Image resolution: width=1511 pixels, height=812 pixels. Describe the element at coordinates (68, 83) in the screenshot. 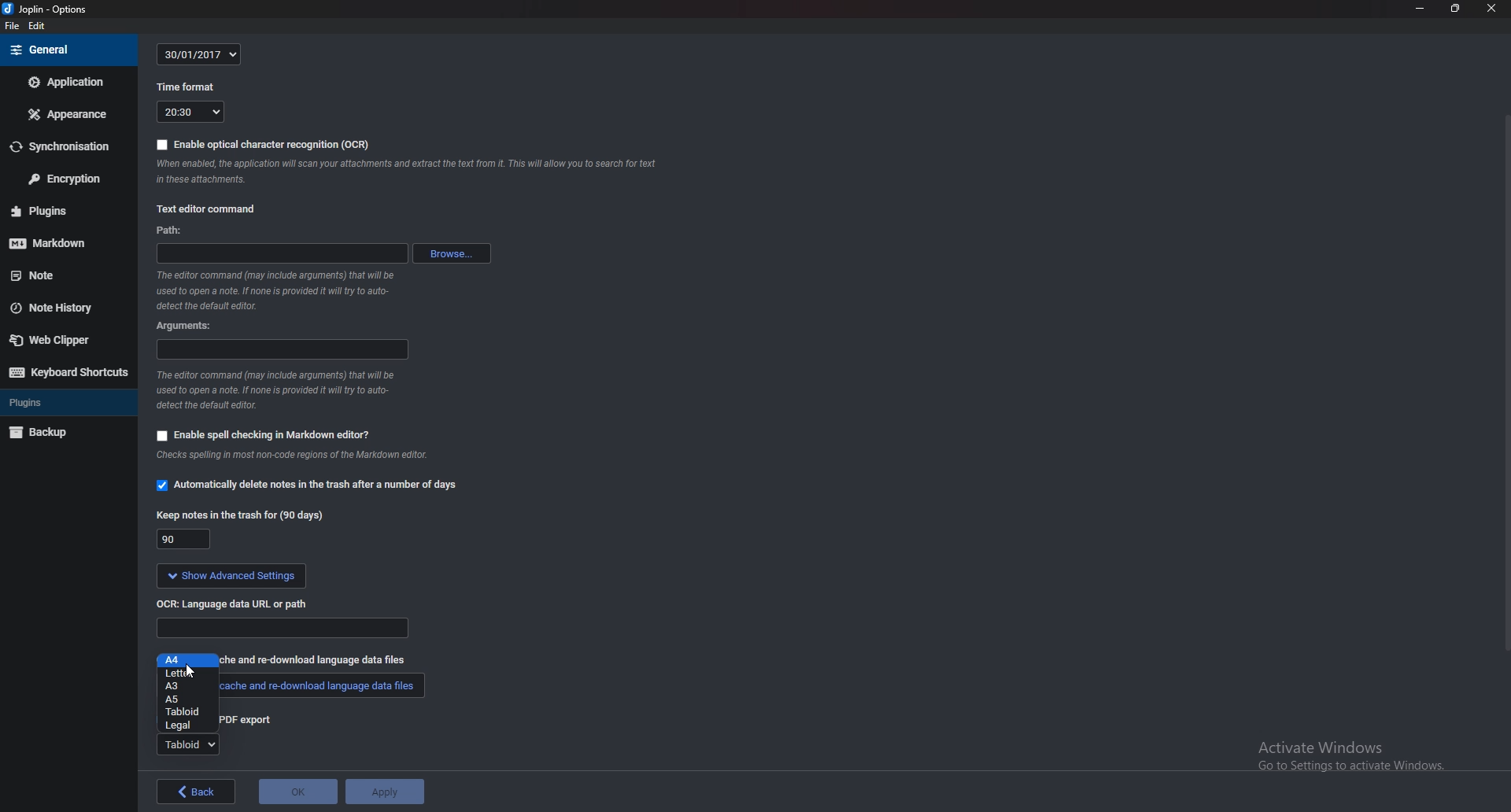

I see `Application` at that location.